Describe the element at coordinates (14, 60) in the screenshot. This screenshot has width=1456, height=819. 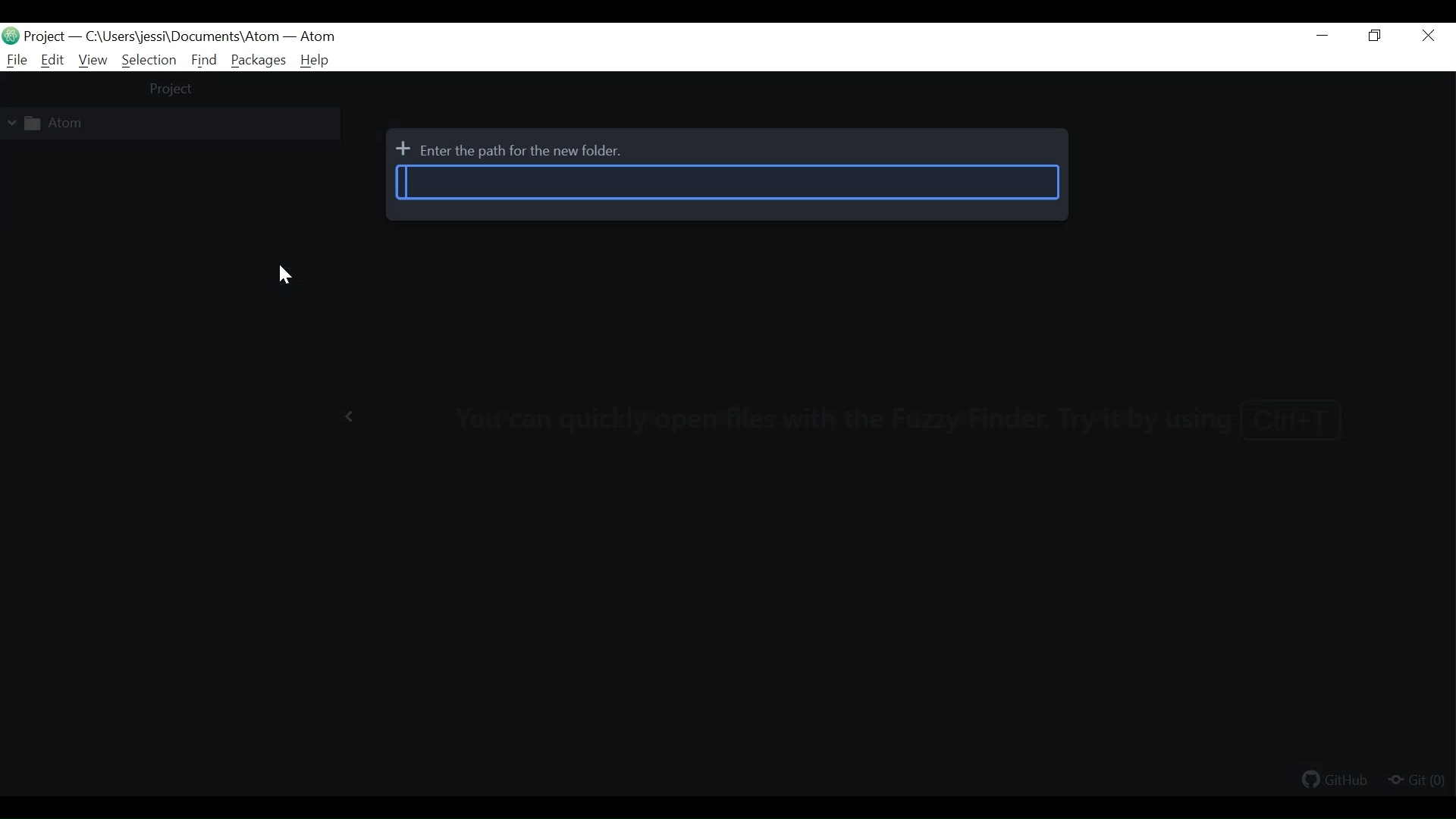
I see `File` at that location.